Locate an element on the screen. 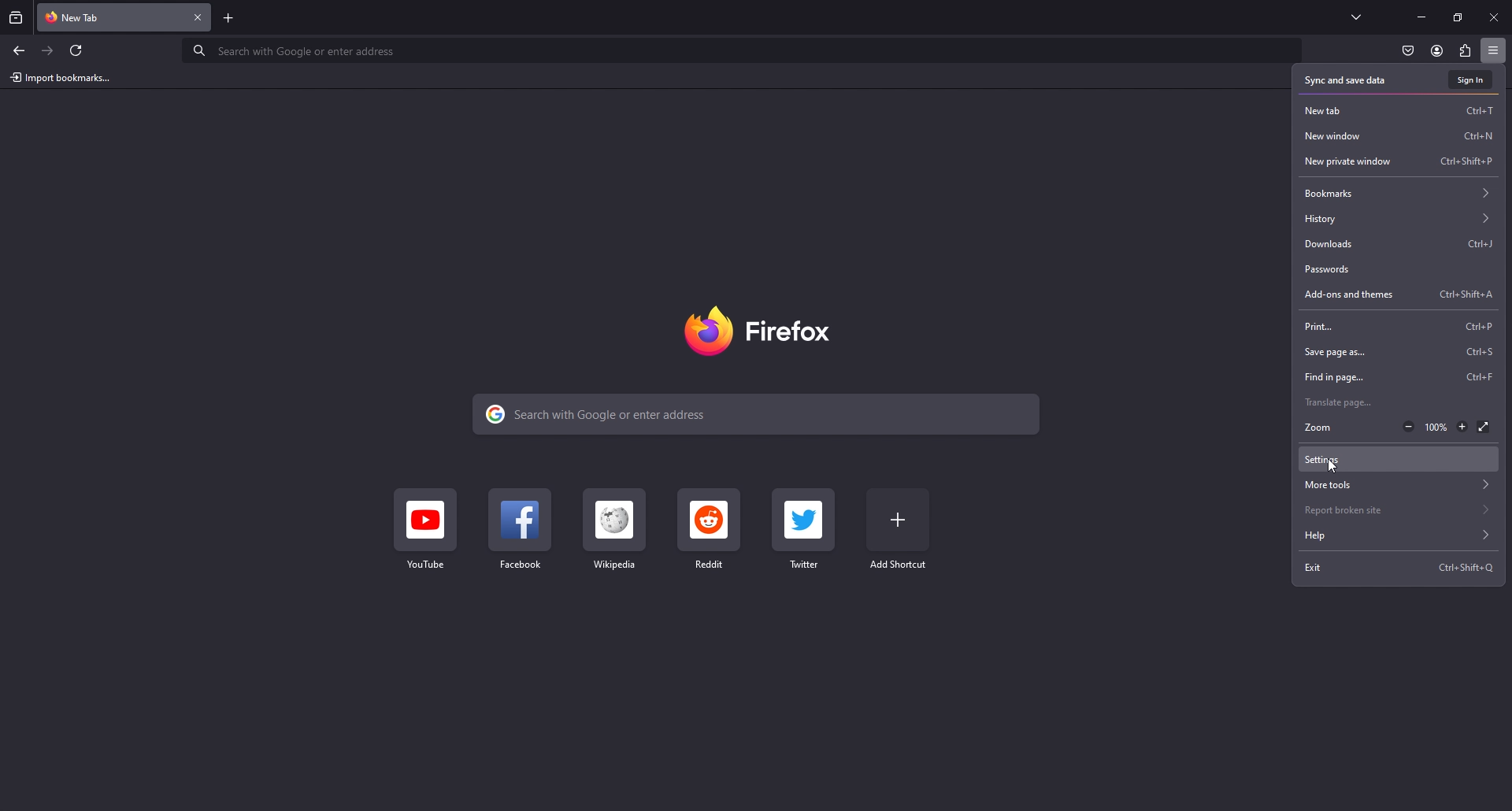  cursor is located at coordinates (1332, 465).